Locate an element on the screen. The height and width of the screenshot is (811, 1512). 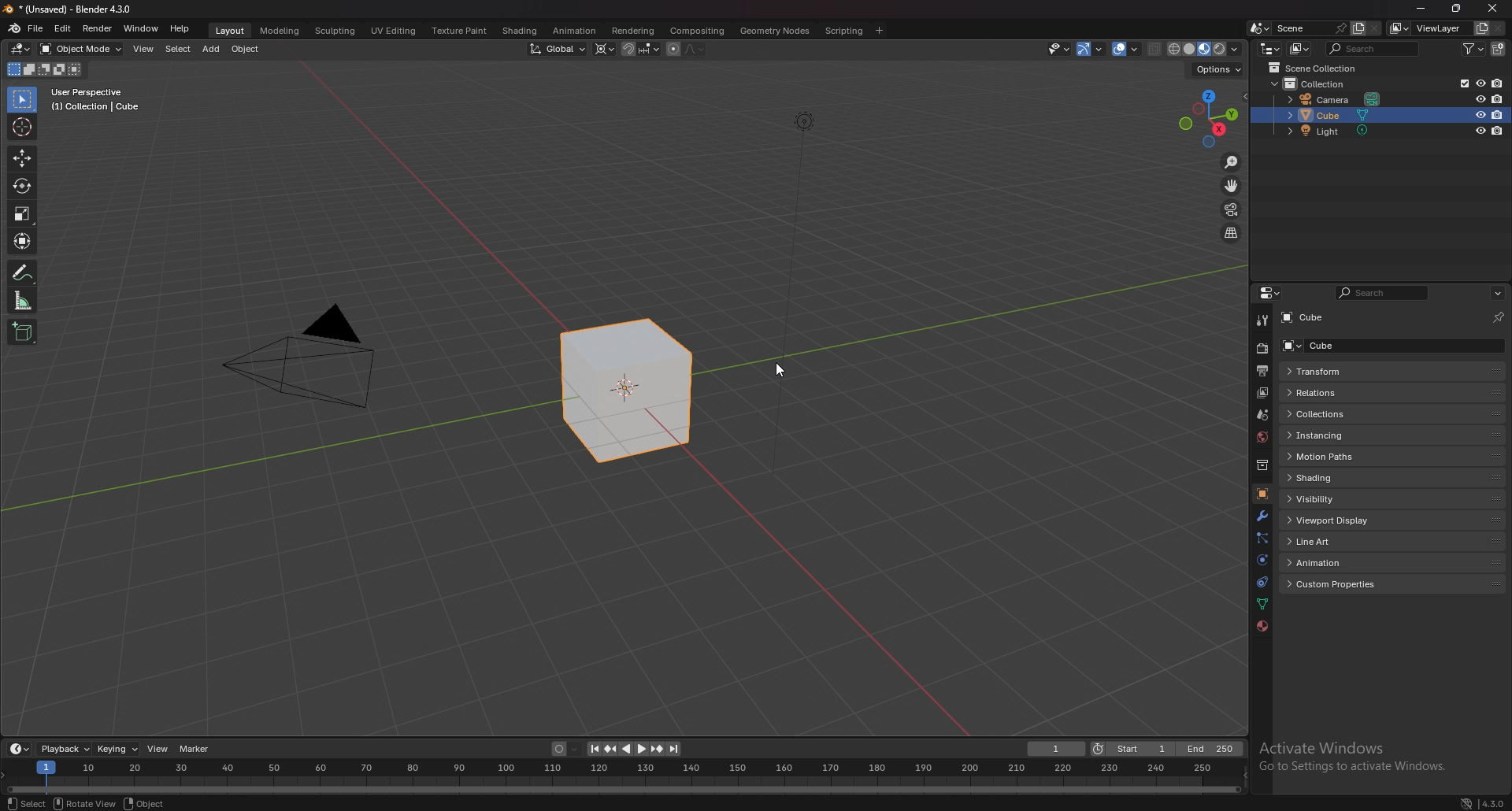
end frame is located at coordinates (1209, 749).